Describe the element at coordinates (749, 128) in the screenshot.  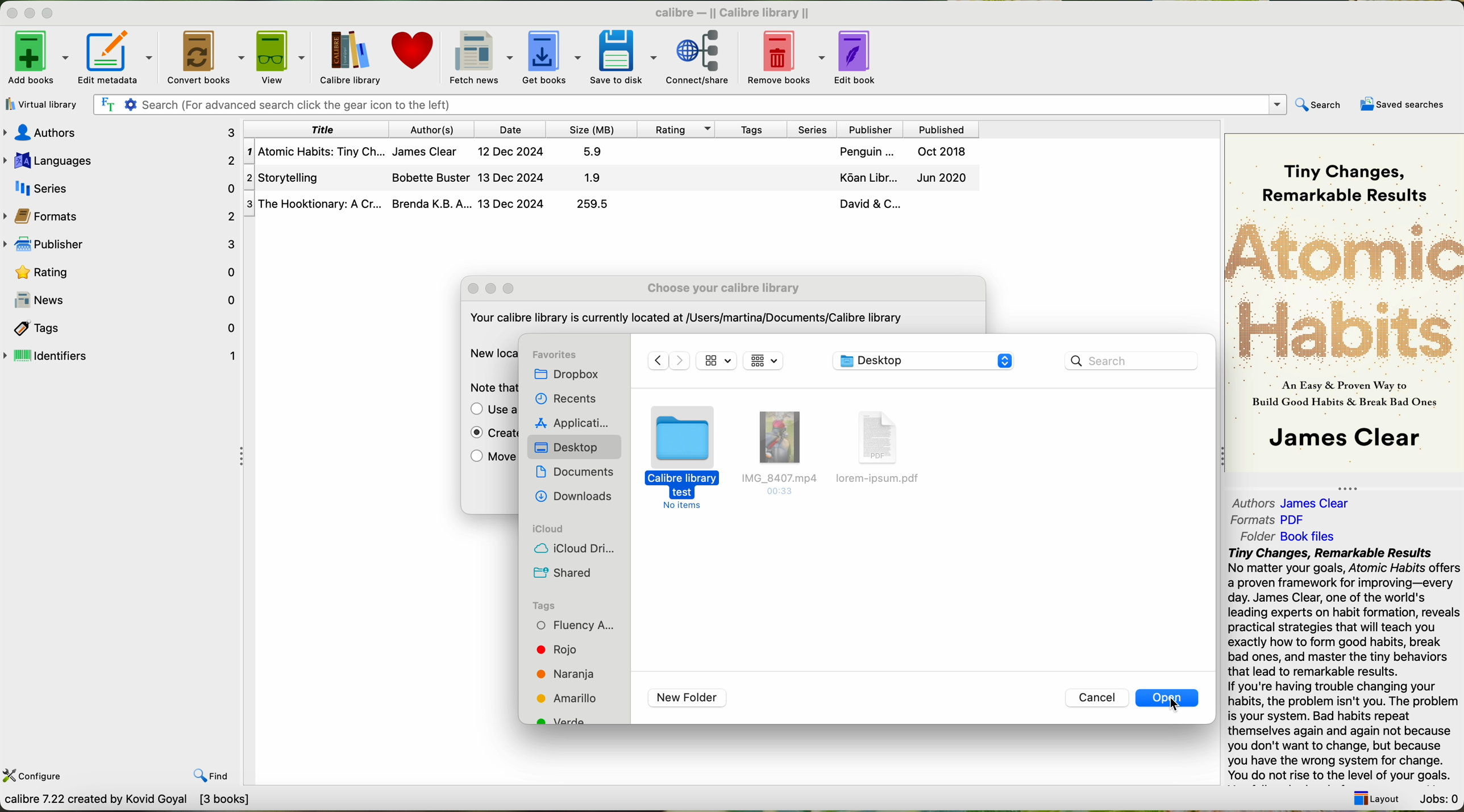
I see `tags` at that location.